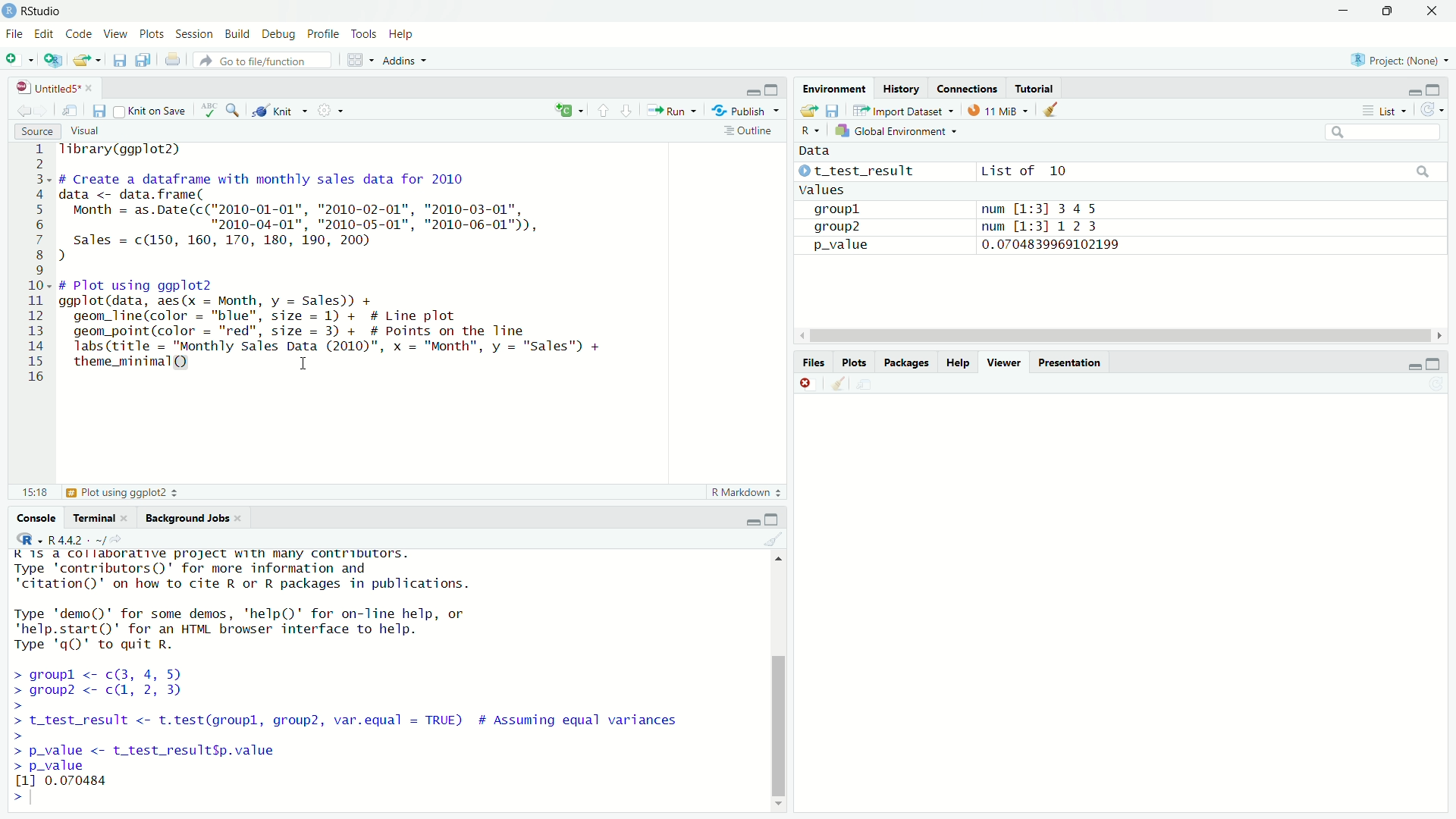 The image size is (1456, 819). Describe the element at coordinates (935, 171) in the screenshot. I see `© t_test_result List of 10` at that location.